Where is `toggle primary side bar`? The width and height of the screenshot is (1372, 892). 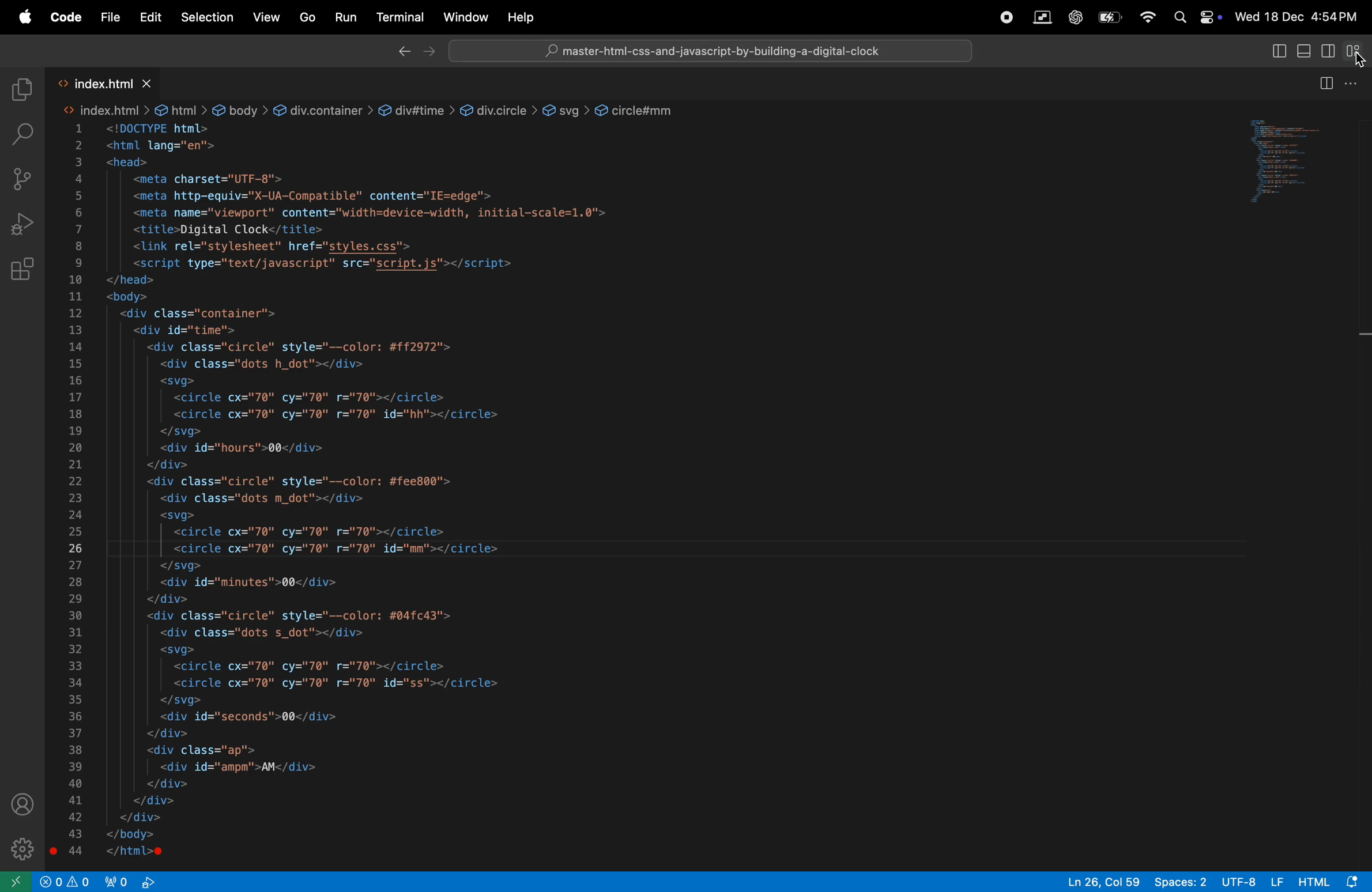 toggle primary side bar is located at coordinates (1278, 50).